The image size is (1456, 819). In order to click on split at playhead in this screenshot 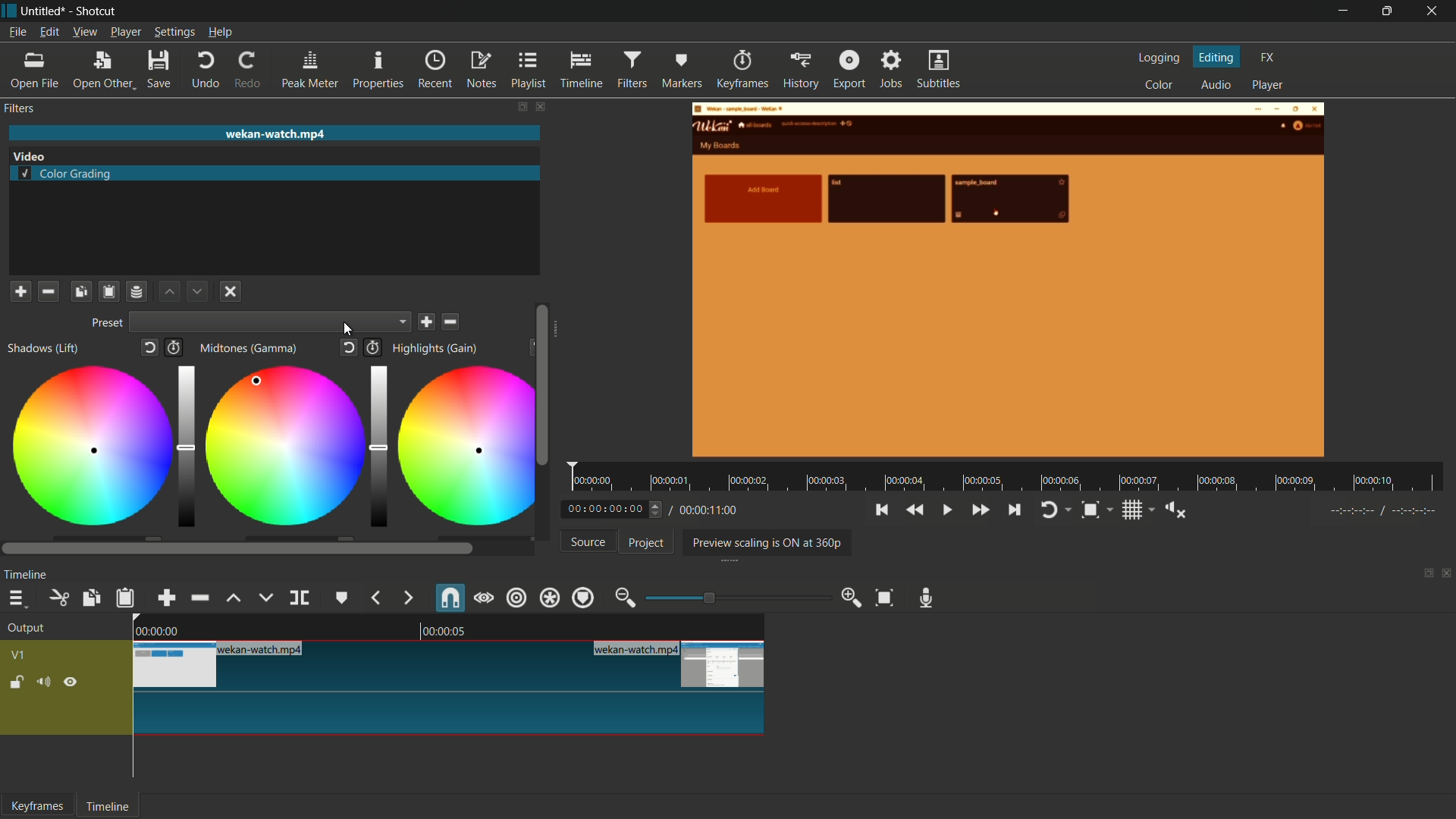, I will do `click(300, 598)`.